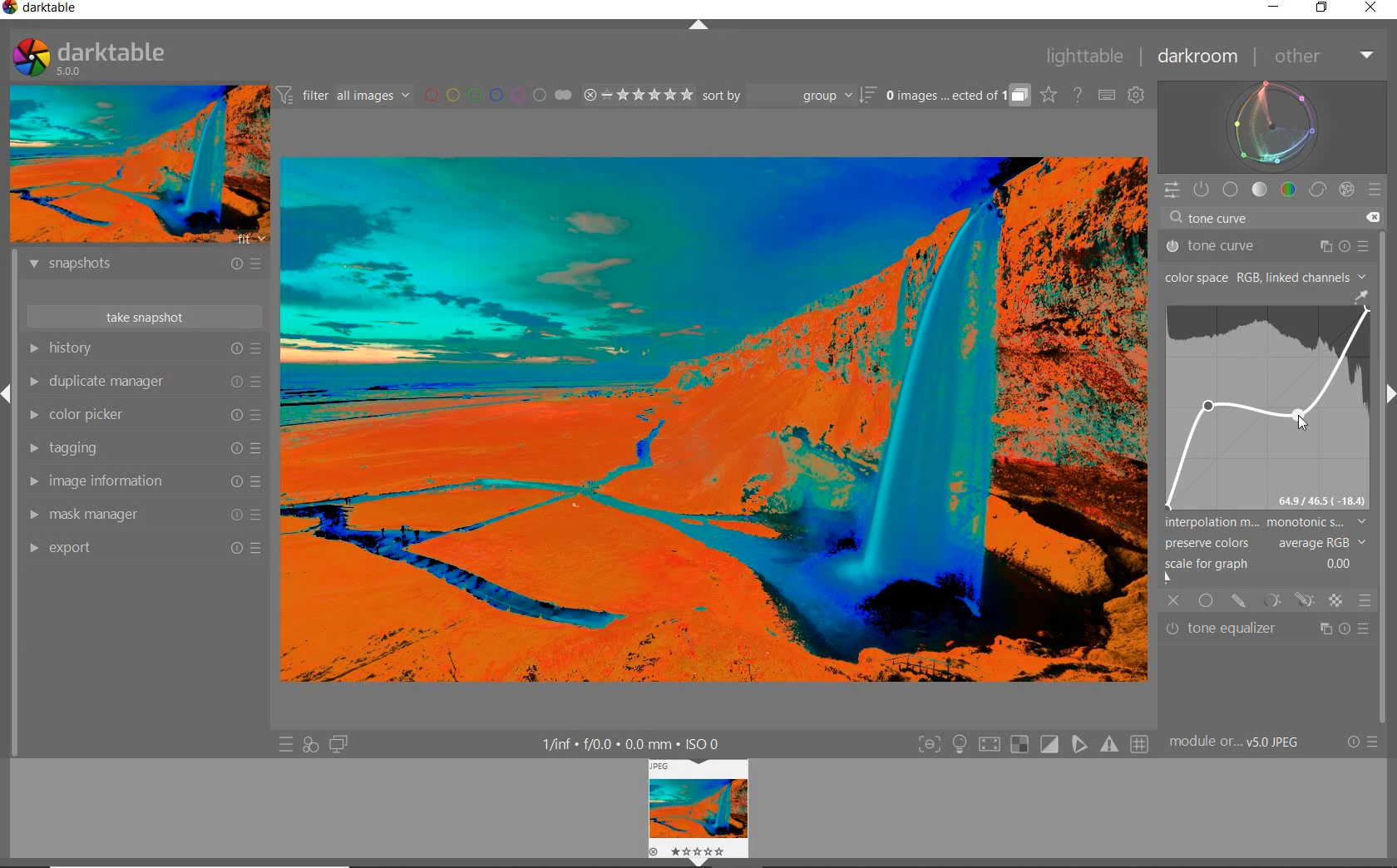 This screenshot has width=1397, height=868. I want to click on TONE CURVE, so click(1269, 400).